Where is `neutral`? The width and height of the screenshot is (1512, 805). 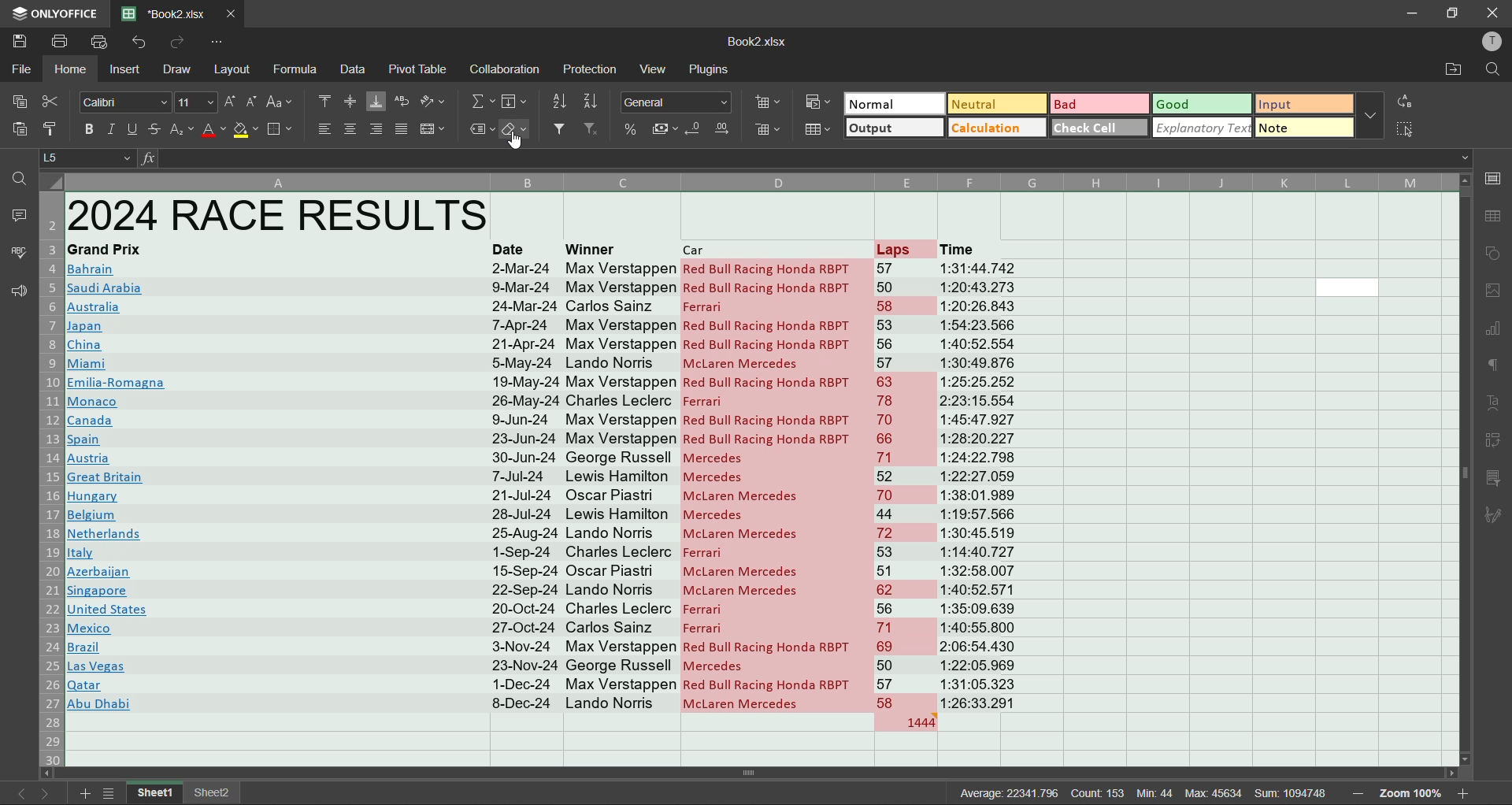
neutral is located at coordinates (999, 105).